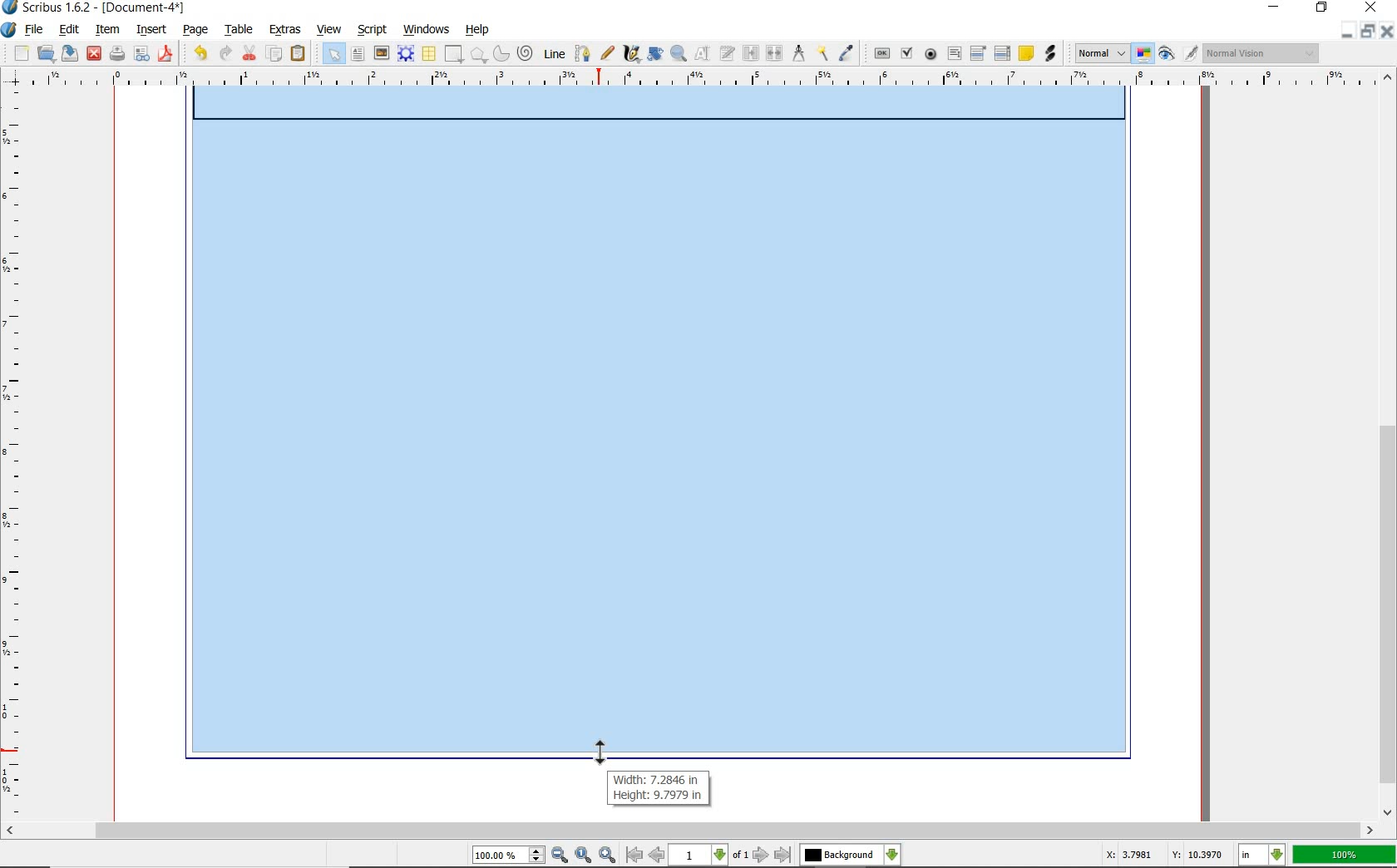  I want to click on go to first page, so click(635, 856).